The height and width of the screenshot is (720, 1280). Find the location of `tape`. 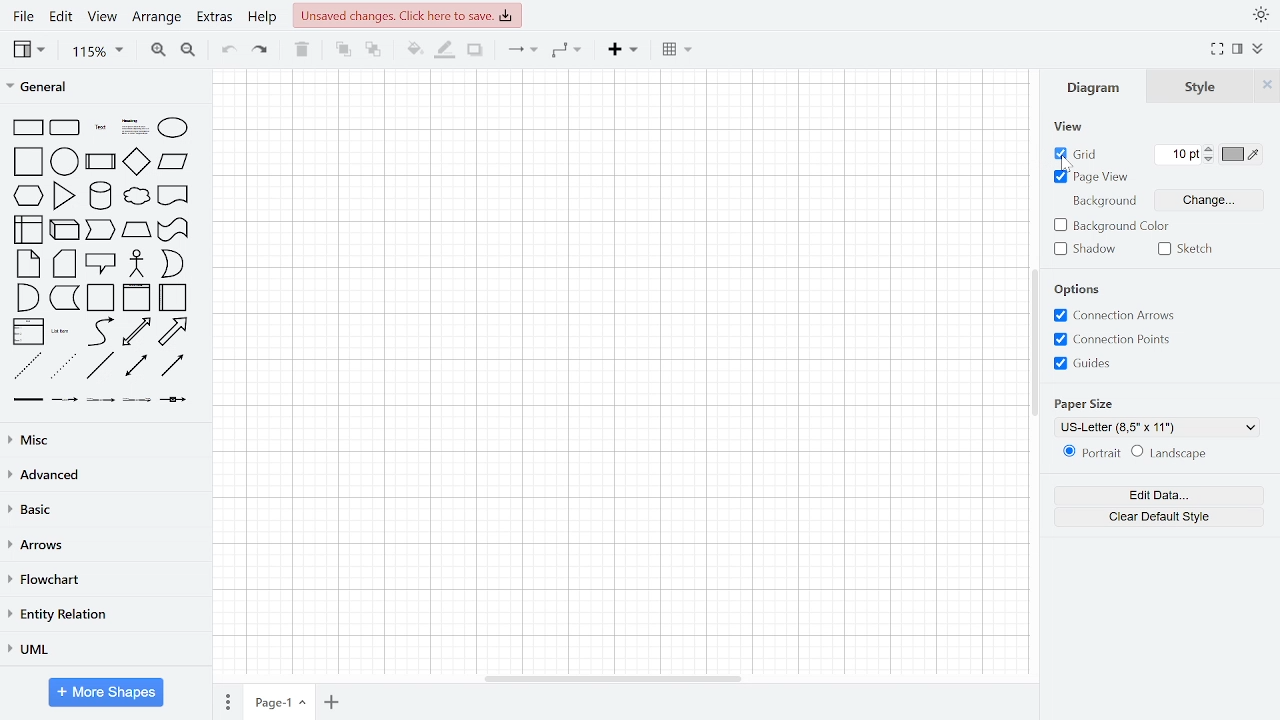

tape is located at coordinates (171, 229).